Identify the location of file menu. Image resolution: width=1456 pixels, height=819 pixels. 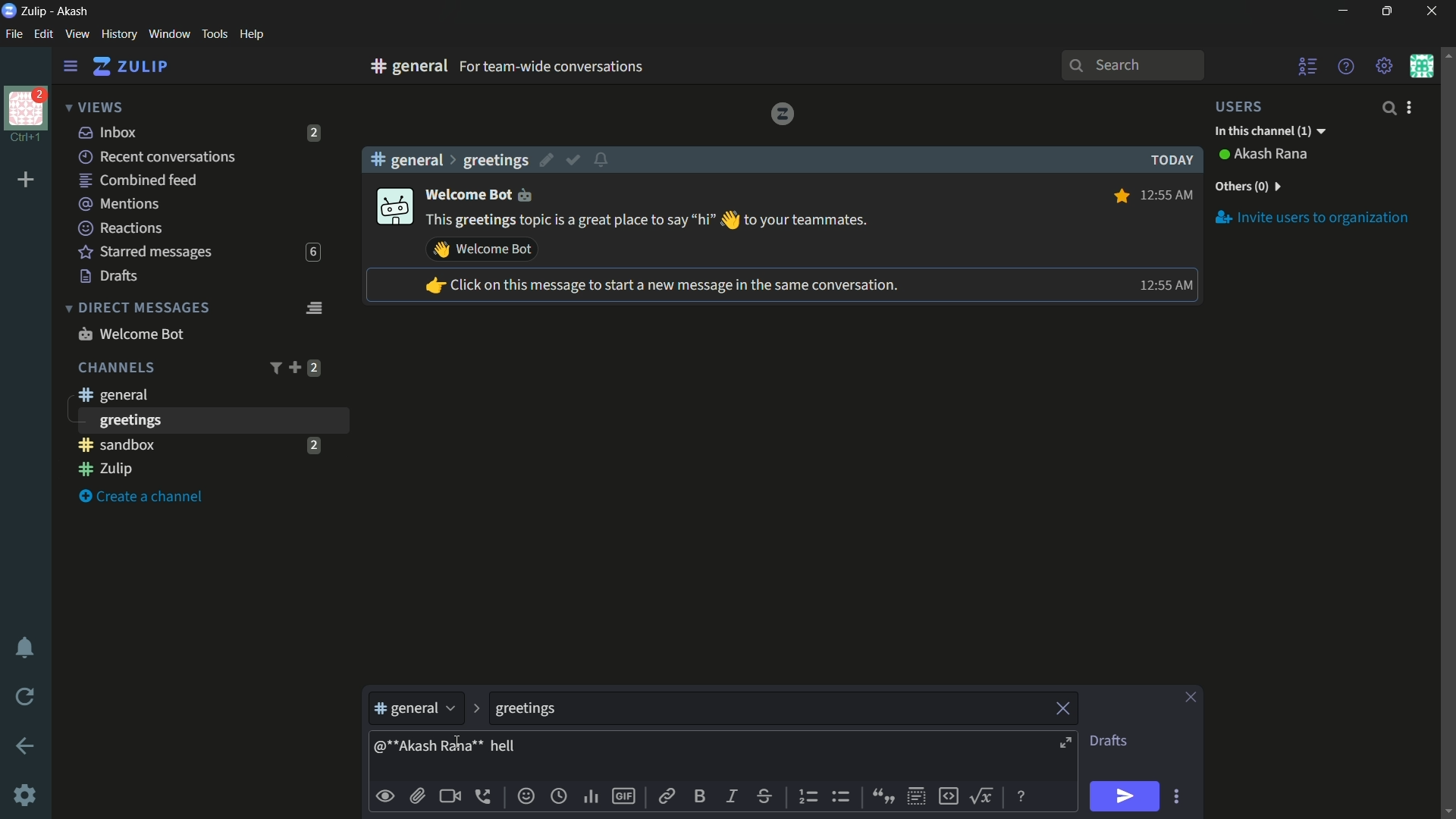
(14, 35).